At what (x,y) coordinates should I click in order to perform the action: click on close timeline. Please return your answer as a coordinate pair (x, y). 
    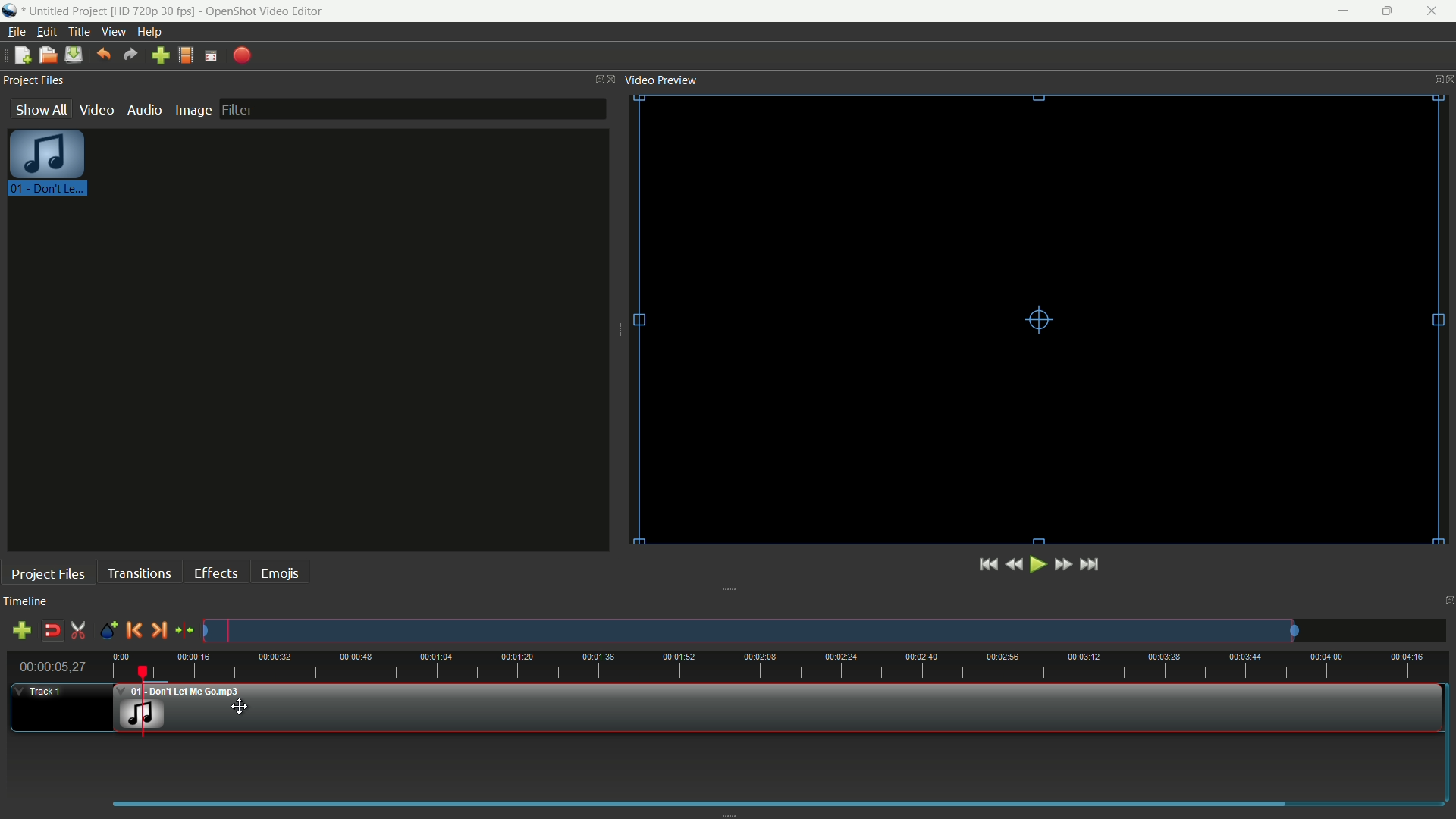
    Looking at the image, I should click on (1447, 603).